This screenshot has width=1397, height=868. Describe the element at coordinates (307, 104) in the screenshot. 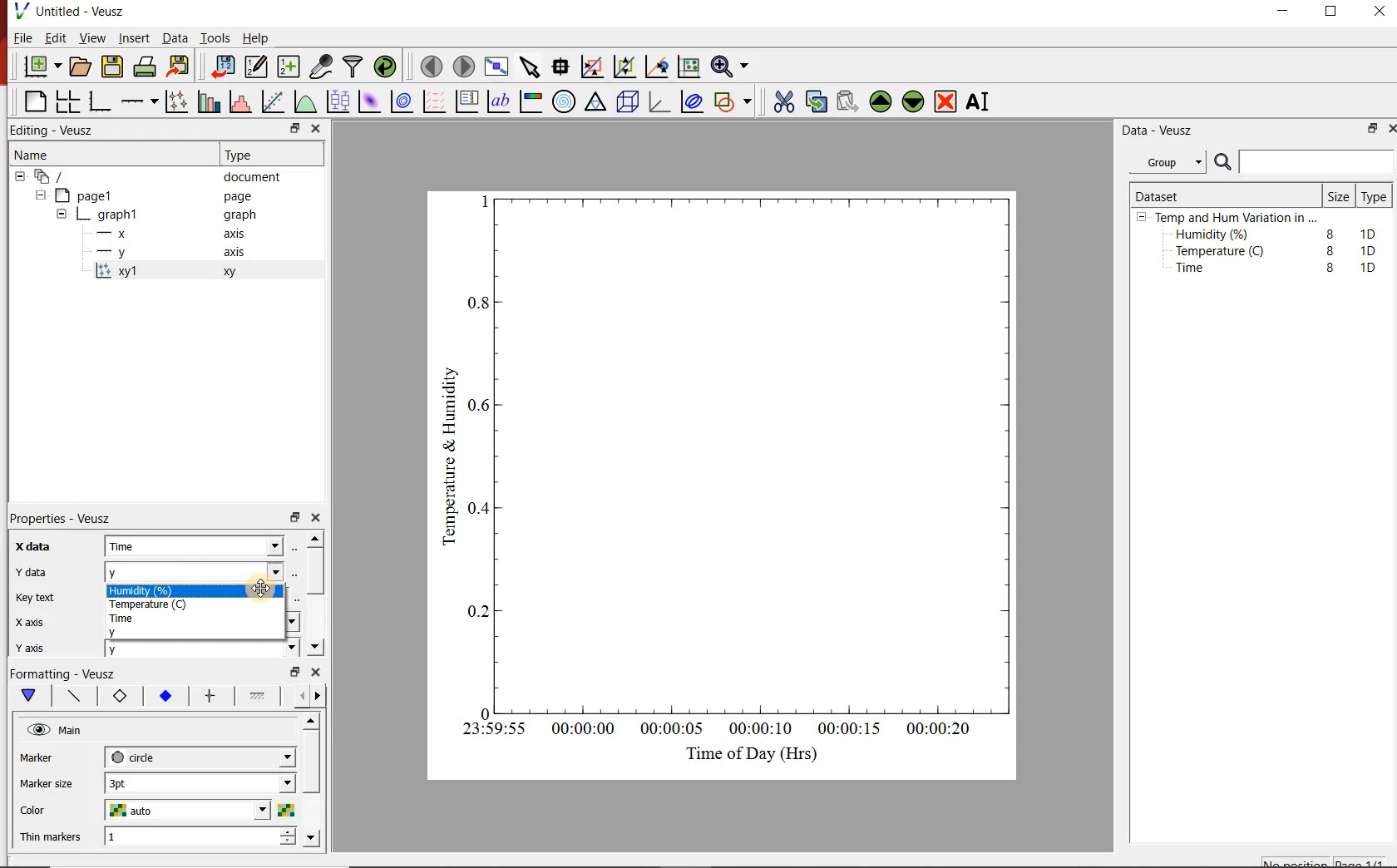

I see `plot a function` at that location.